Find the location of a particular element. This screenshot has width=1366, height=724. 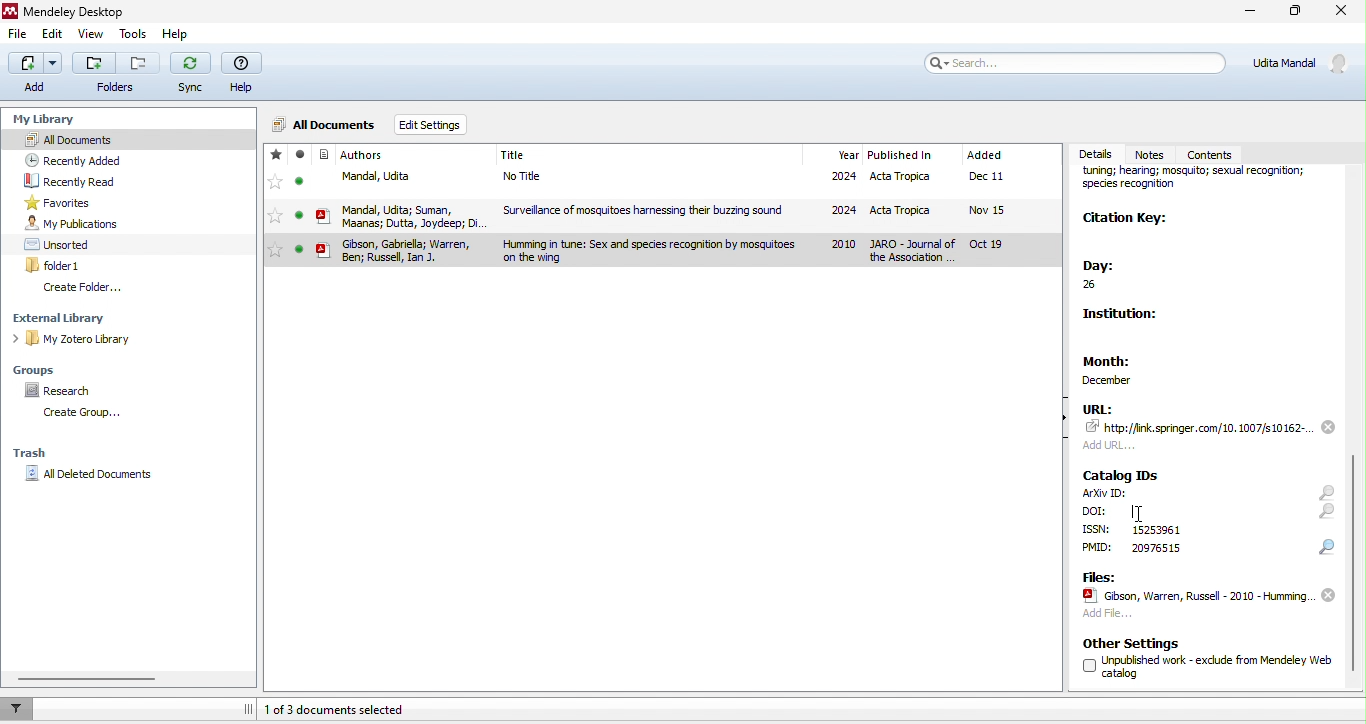

month: december is located at coordinates (1126, 364).